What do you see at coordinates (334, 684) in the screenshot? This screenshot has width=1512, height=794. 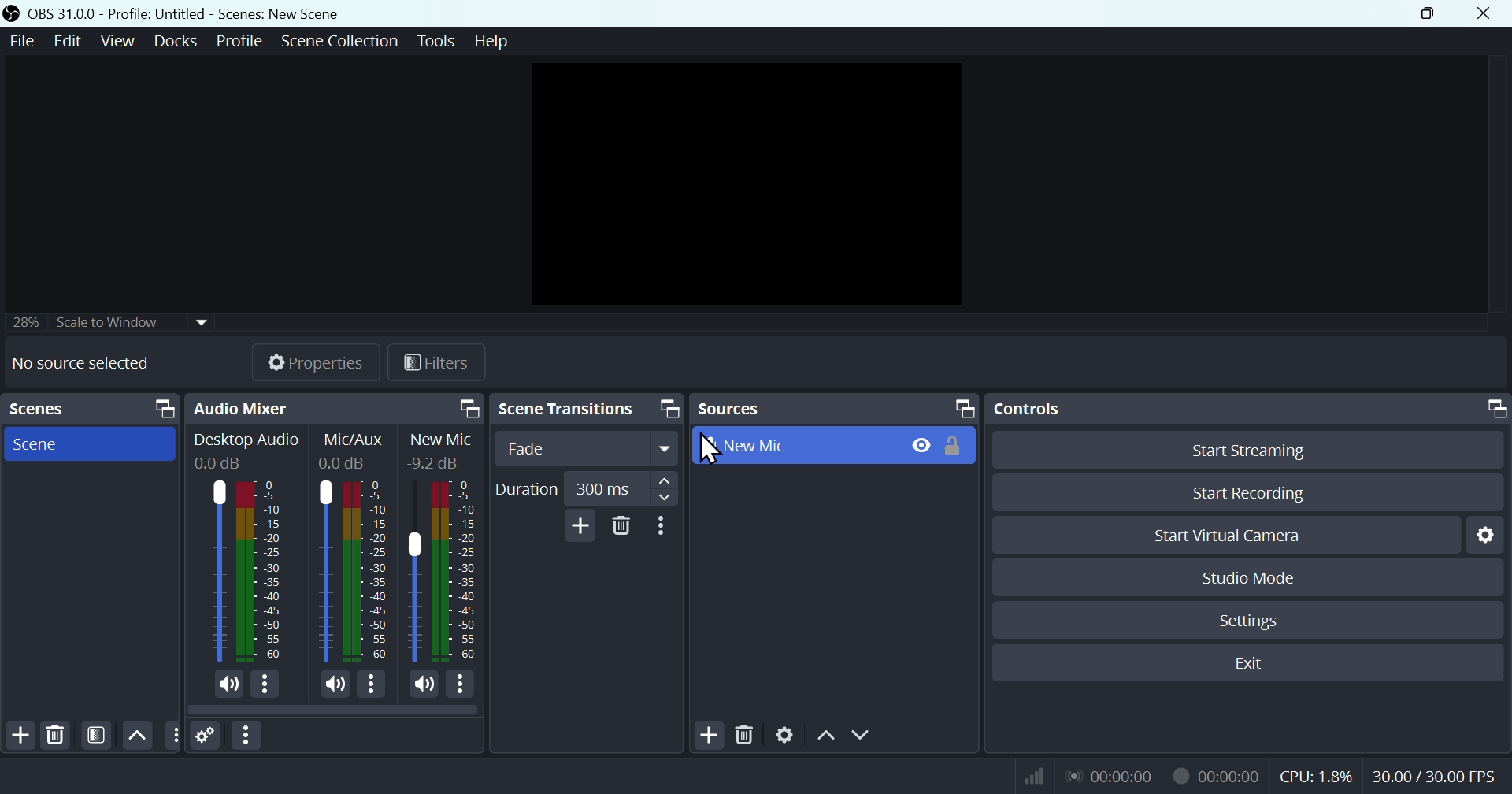 I see `(un)mute` at bounding box center [334, 684].